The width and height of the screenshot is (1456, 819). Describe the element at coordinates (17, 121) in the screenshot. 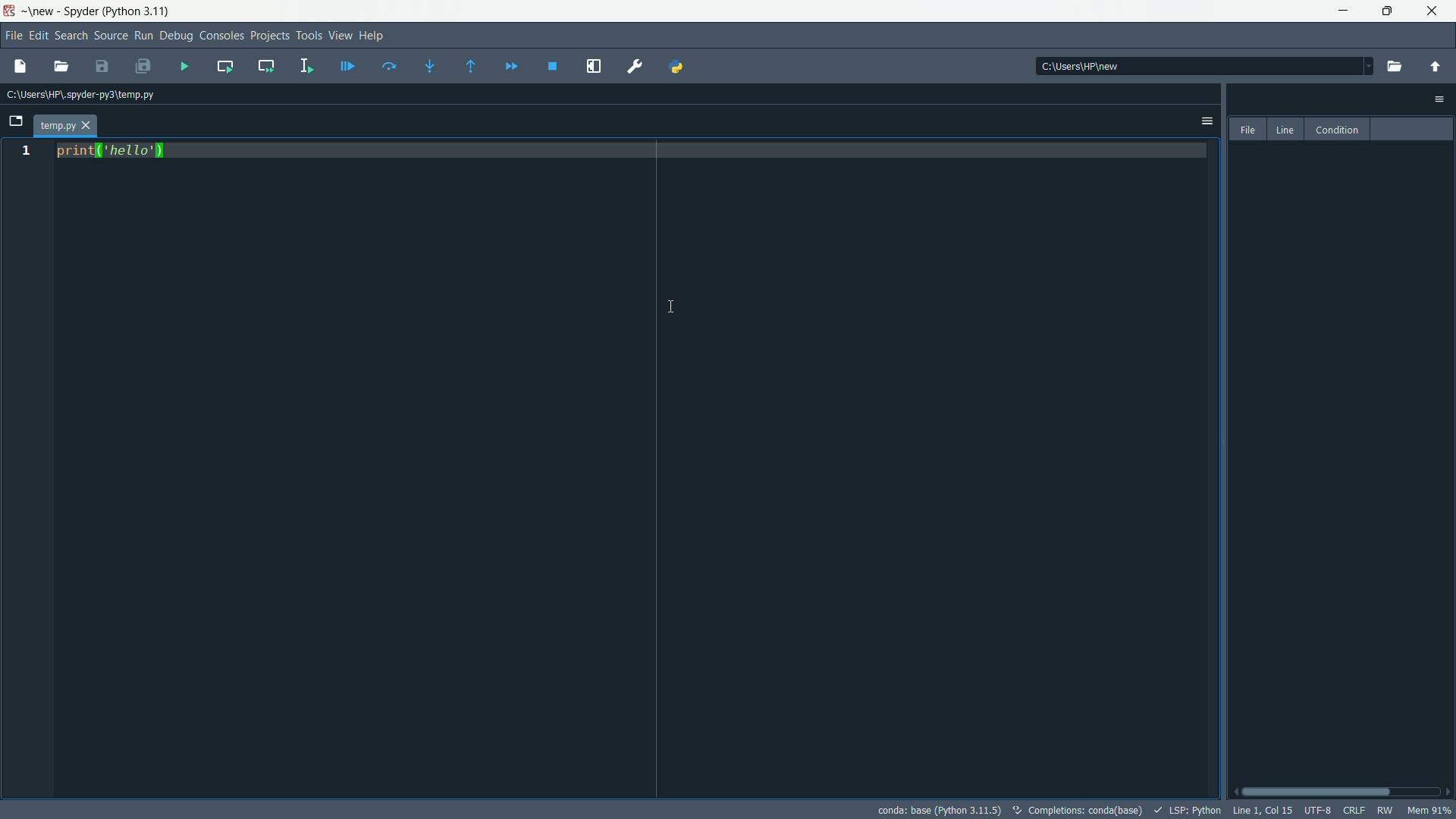

I see `browse tabs` at that location.